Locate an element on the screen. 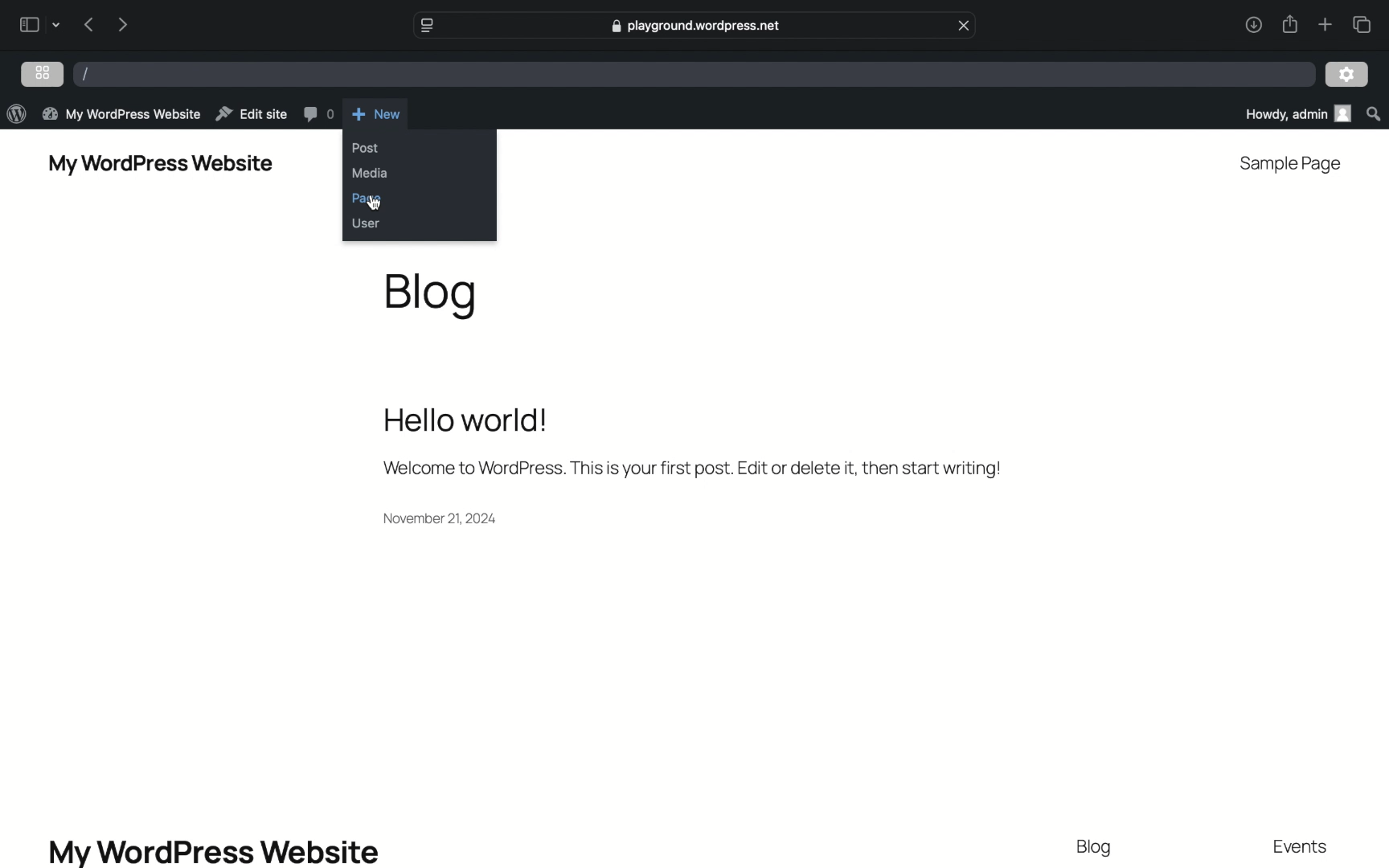  user is located at coordinates (366, 223).